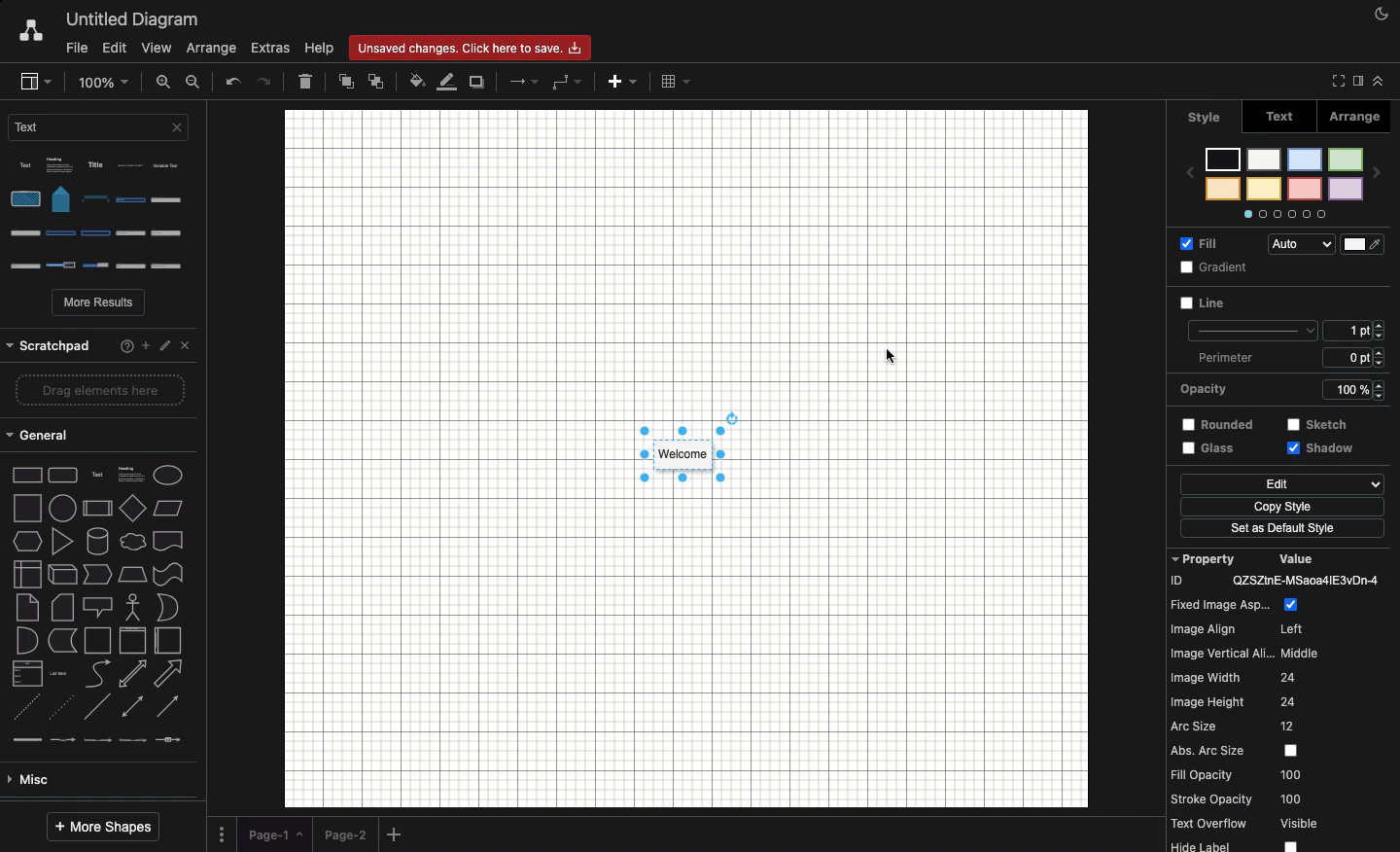  I want to click on Perimeter, so click(1286, 330).